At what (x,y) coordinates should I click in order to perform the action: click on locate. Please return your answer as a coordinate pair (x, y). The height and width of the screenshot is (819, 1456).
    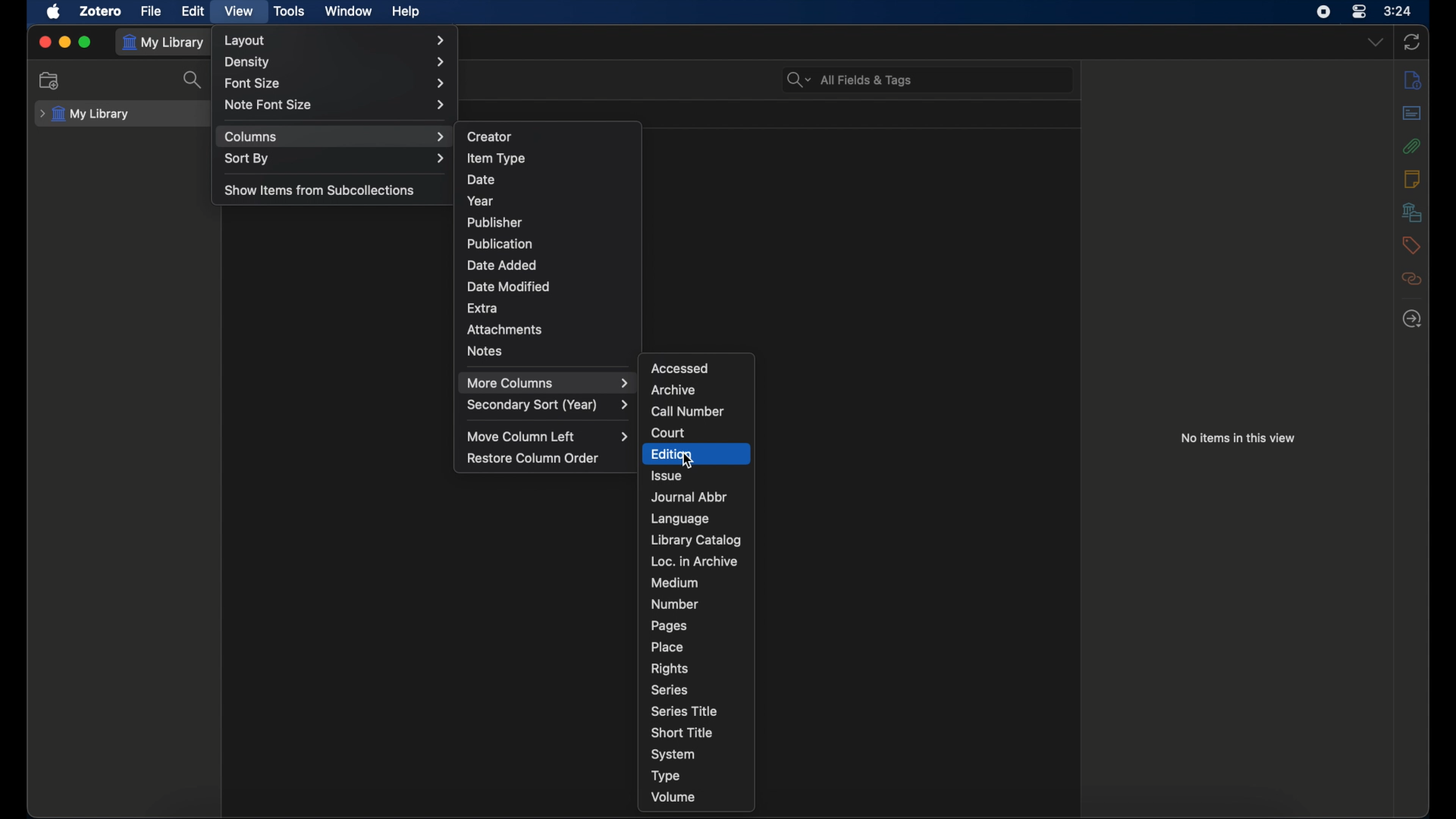
    Looking at the image, I should click on (1414, 319).